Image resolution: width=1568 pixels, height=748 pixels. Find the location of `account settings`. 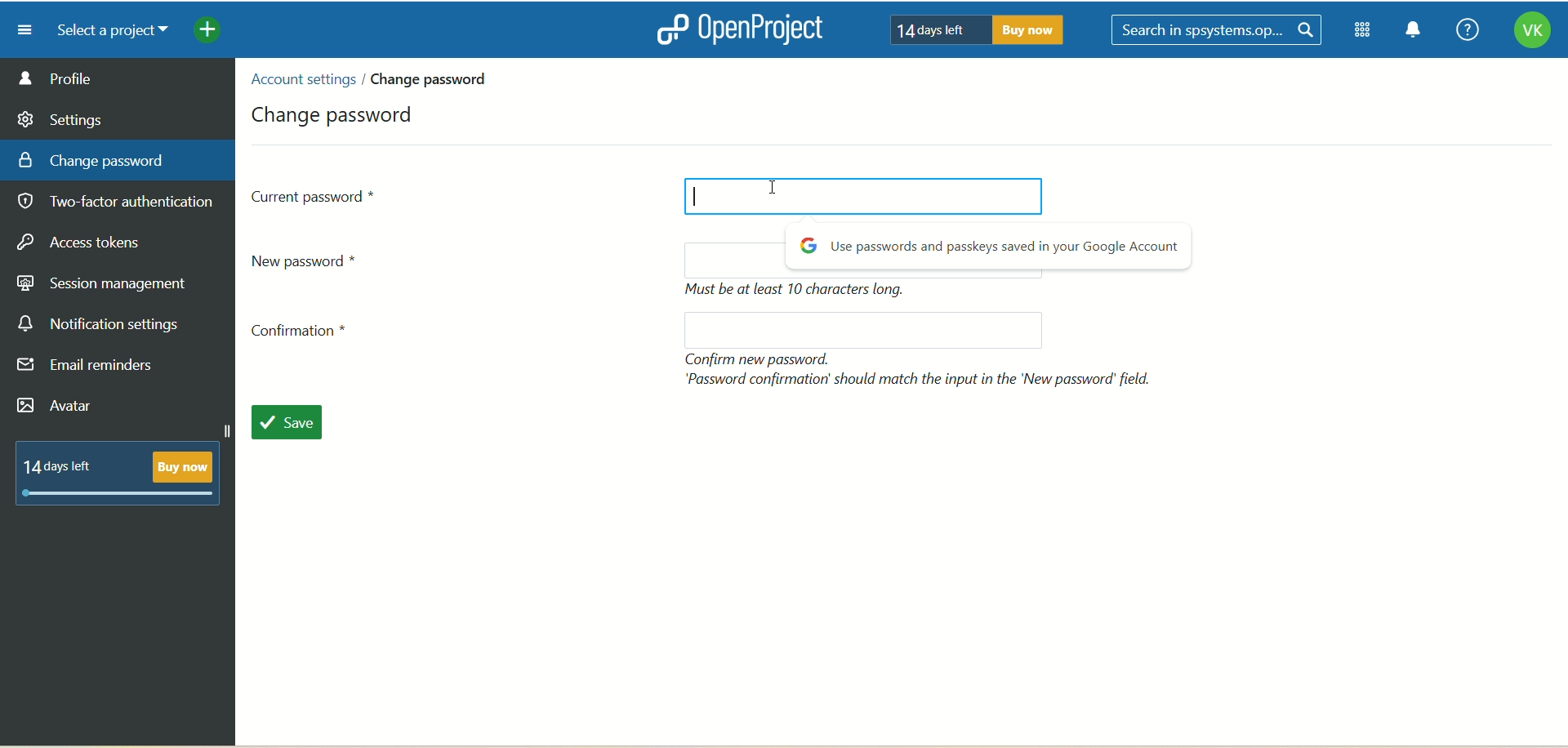

account settings is located at coordinates (301, 79).